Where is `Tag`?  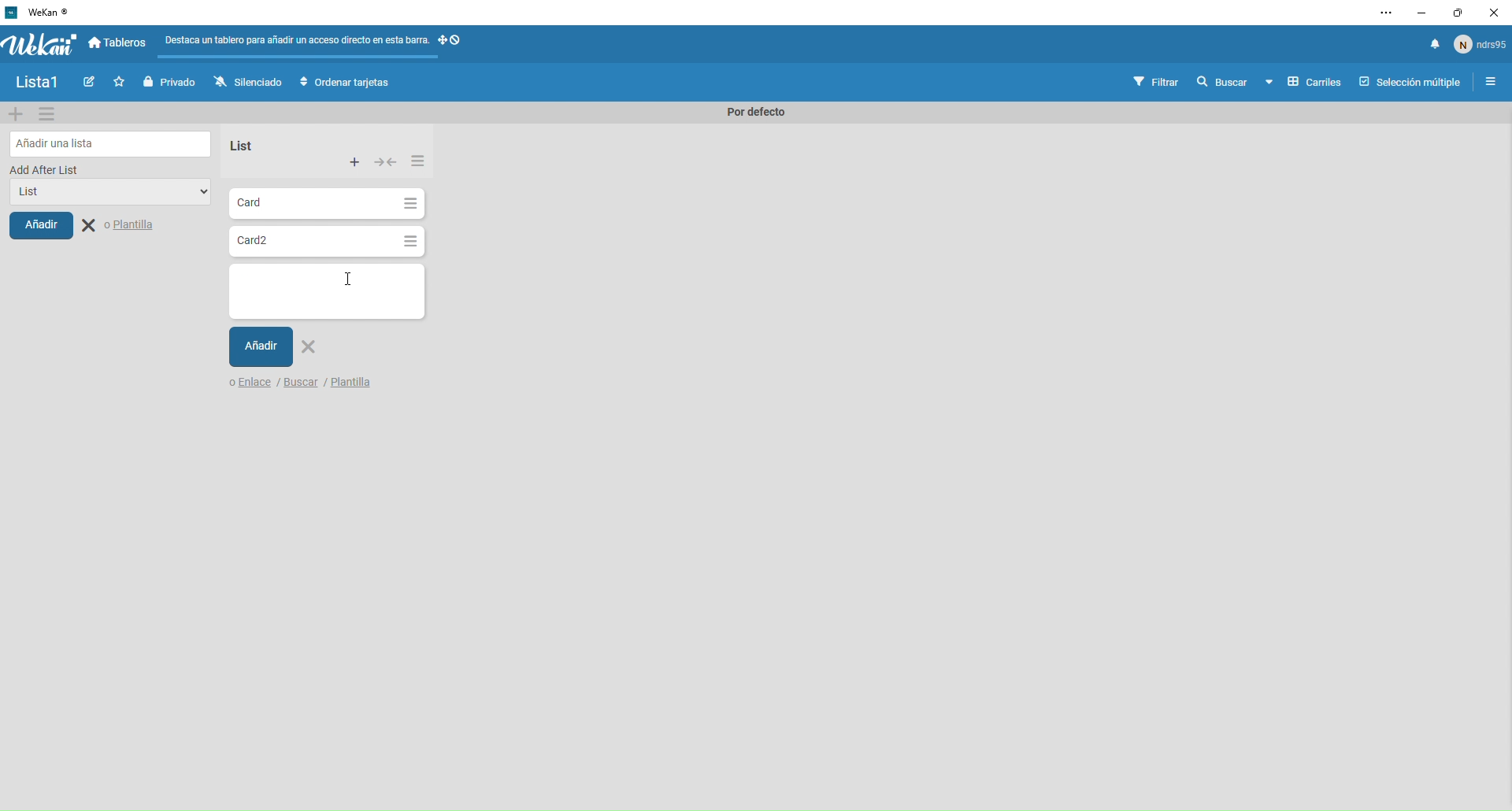 Tag is located at coordinates (92, 83).